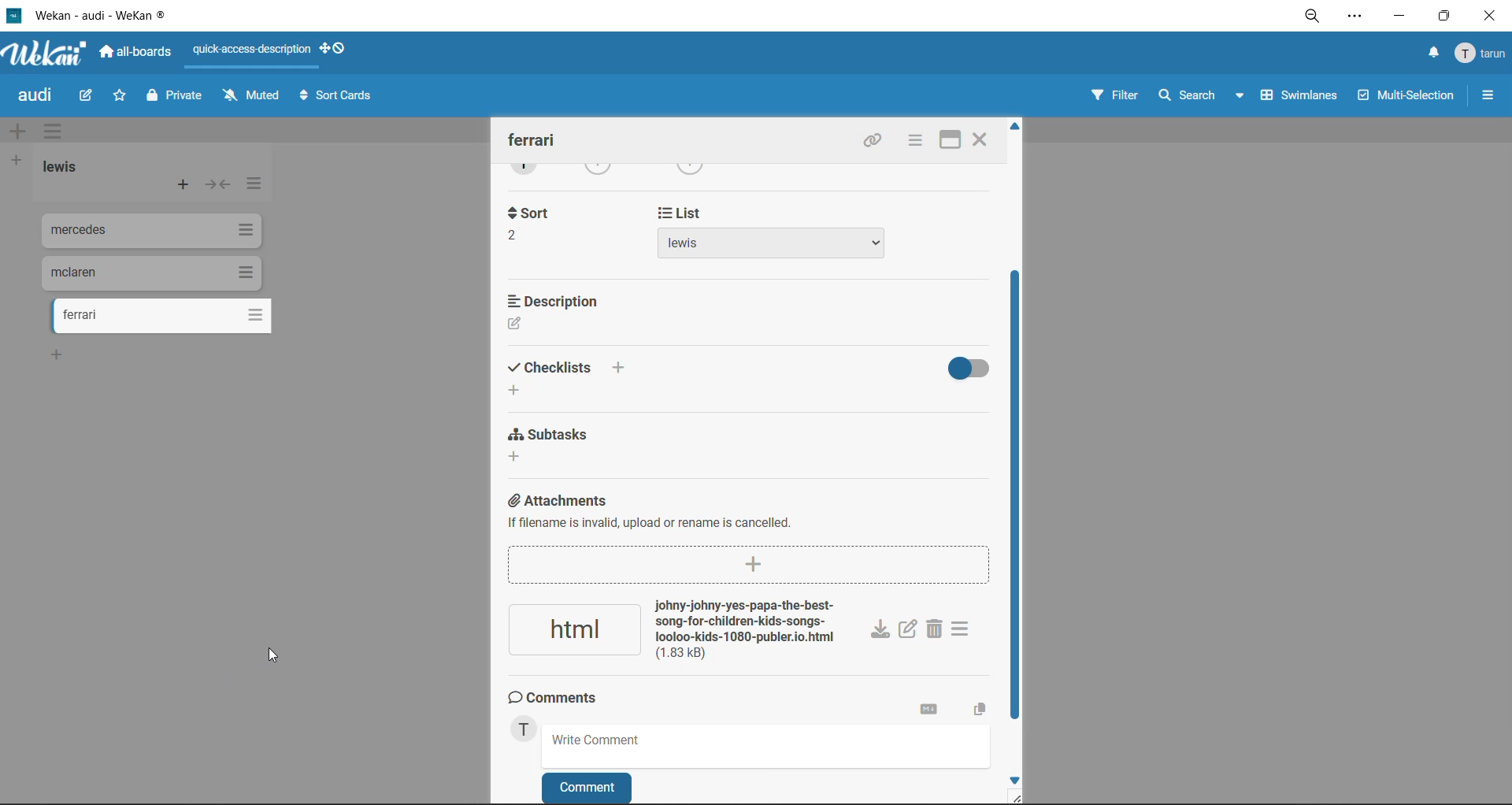  Describe the element at coordinates (1434, 53) in the screenshot. I see `notifications` at that location.